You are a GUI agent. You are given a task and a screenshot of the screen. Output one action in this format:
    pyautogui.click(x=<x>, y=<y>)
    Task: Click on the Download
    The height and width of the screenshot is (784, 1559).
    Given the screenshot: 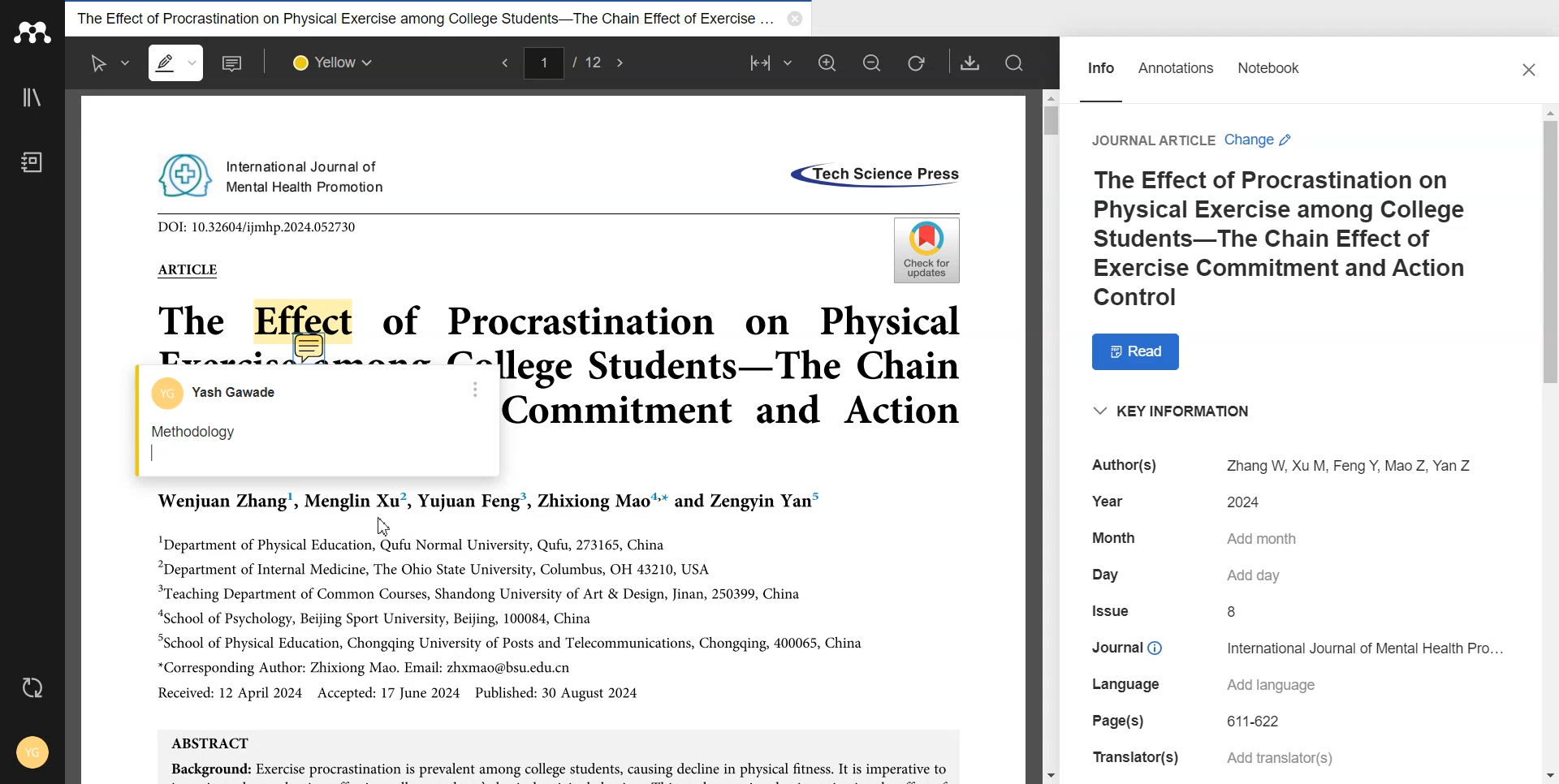 What is the action you would take?
    pyautogui.click(x=971, y=62)
    